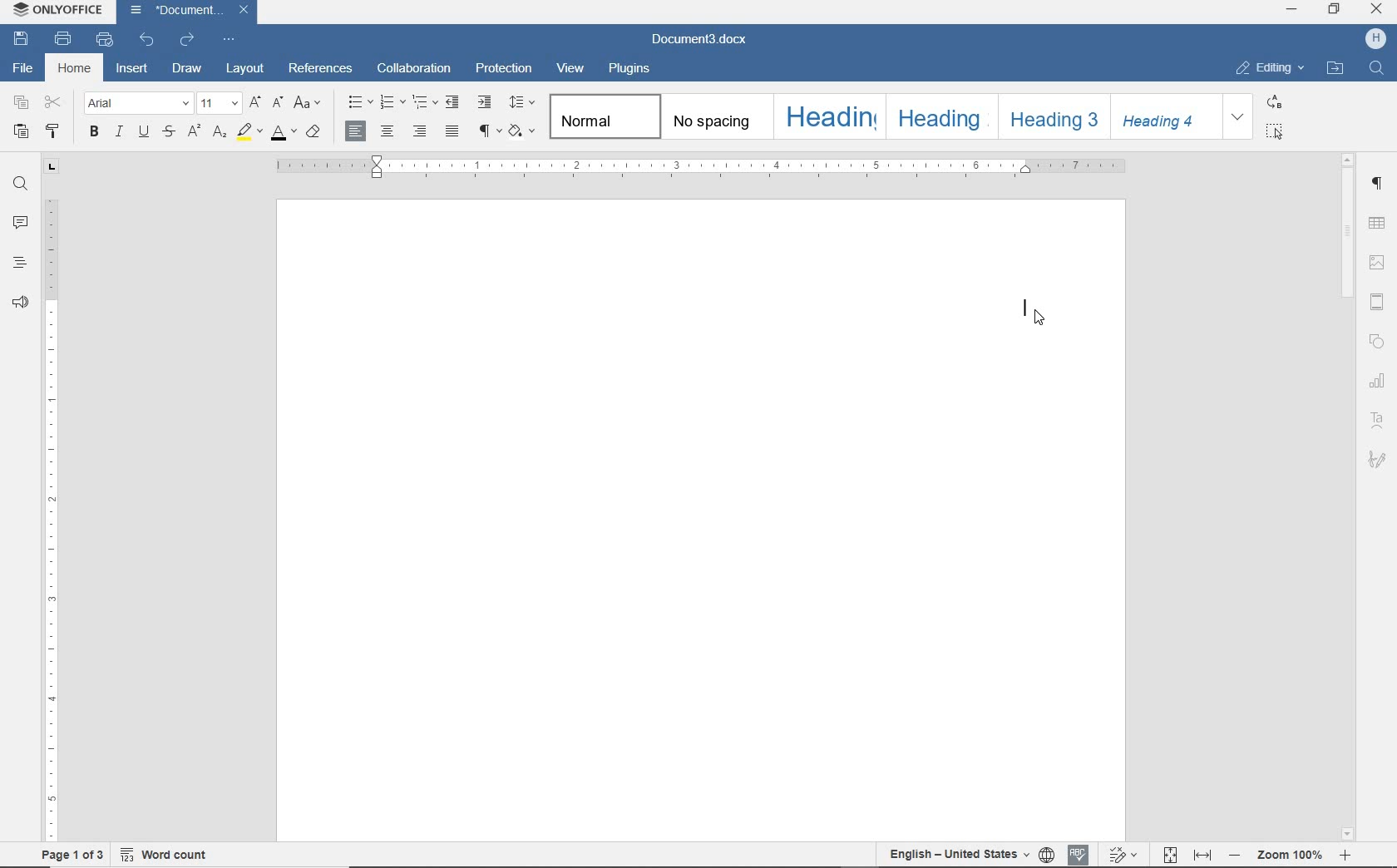 This screenshot has width=1397, height=868. Describe the element at coordinates (1377, 12) in the screenshot. I see `CLOSE` at that location.